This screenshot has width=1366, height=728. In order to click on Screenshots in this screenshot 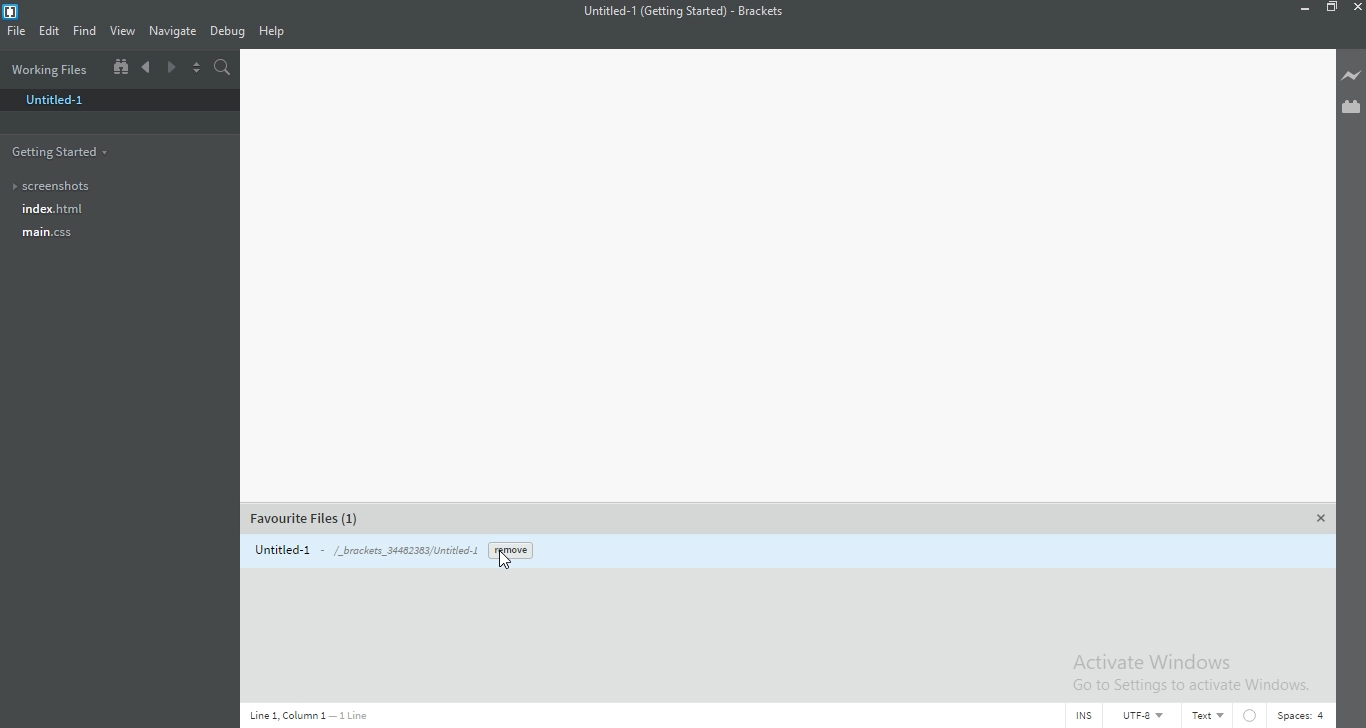, I will do `click(110, 185)`.